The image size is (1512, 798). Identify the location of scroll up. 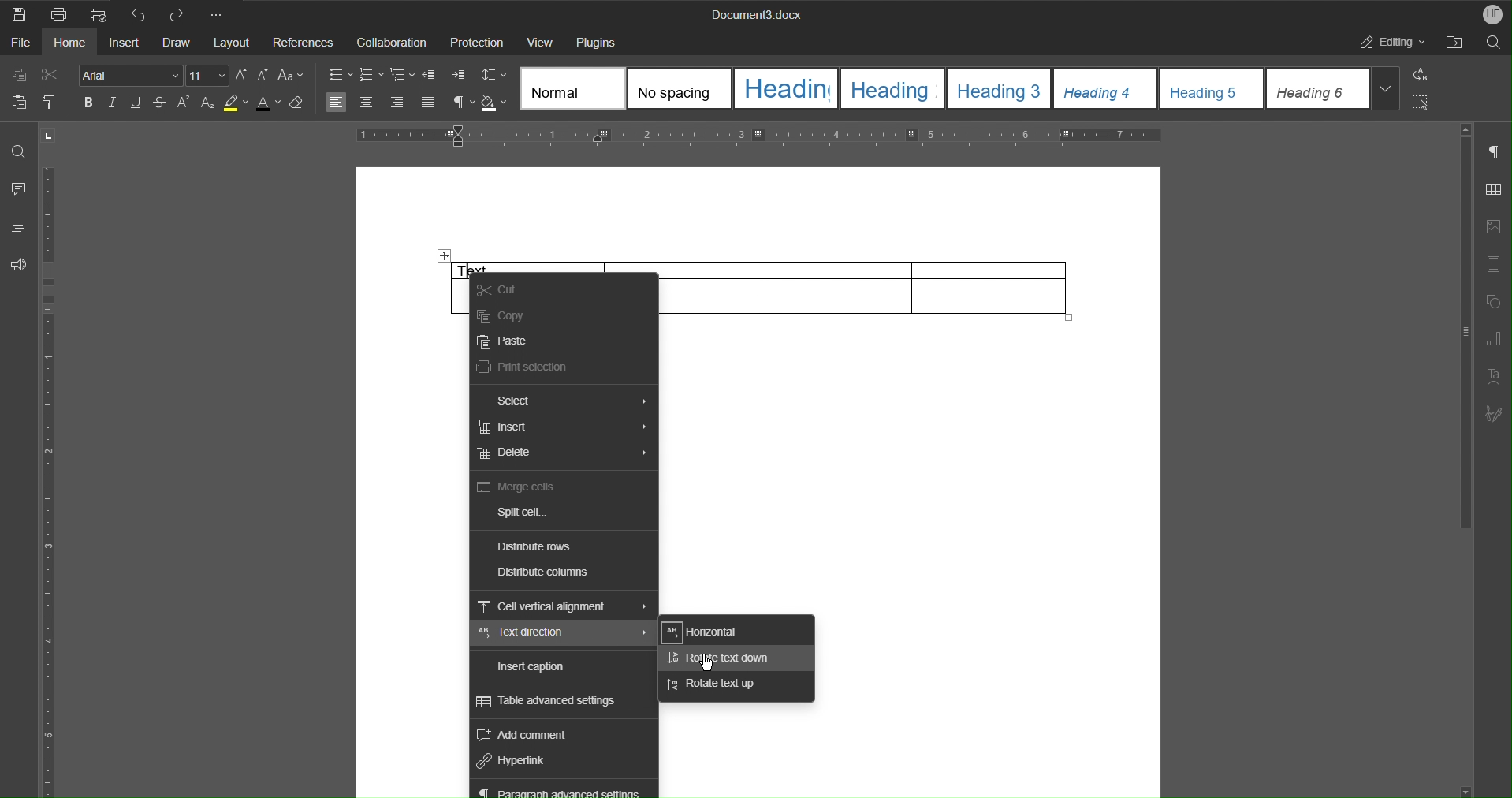
(1465, 129).